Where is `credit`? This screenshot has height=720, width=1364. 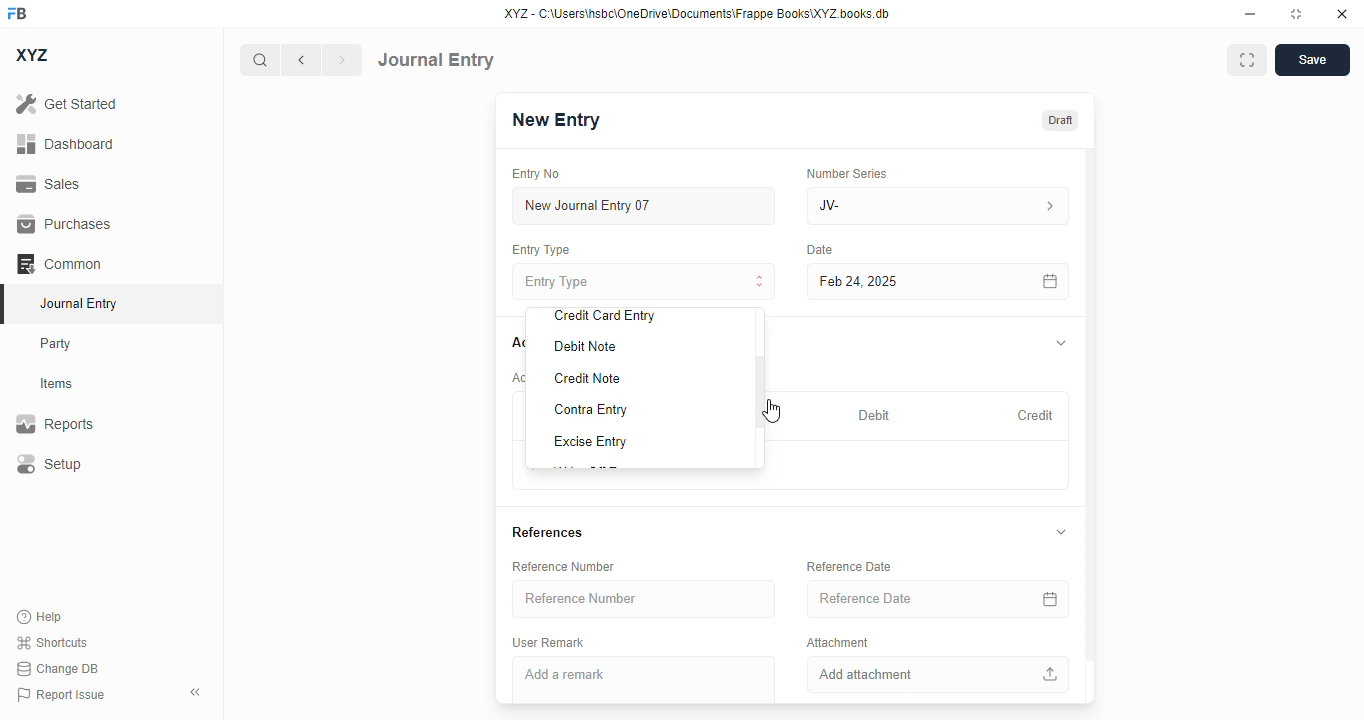
credit is located at coordinates (1037, 415).